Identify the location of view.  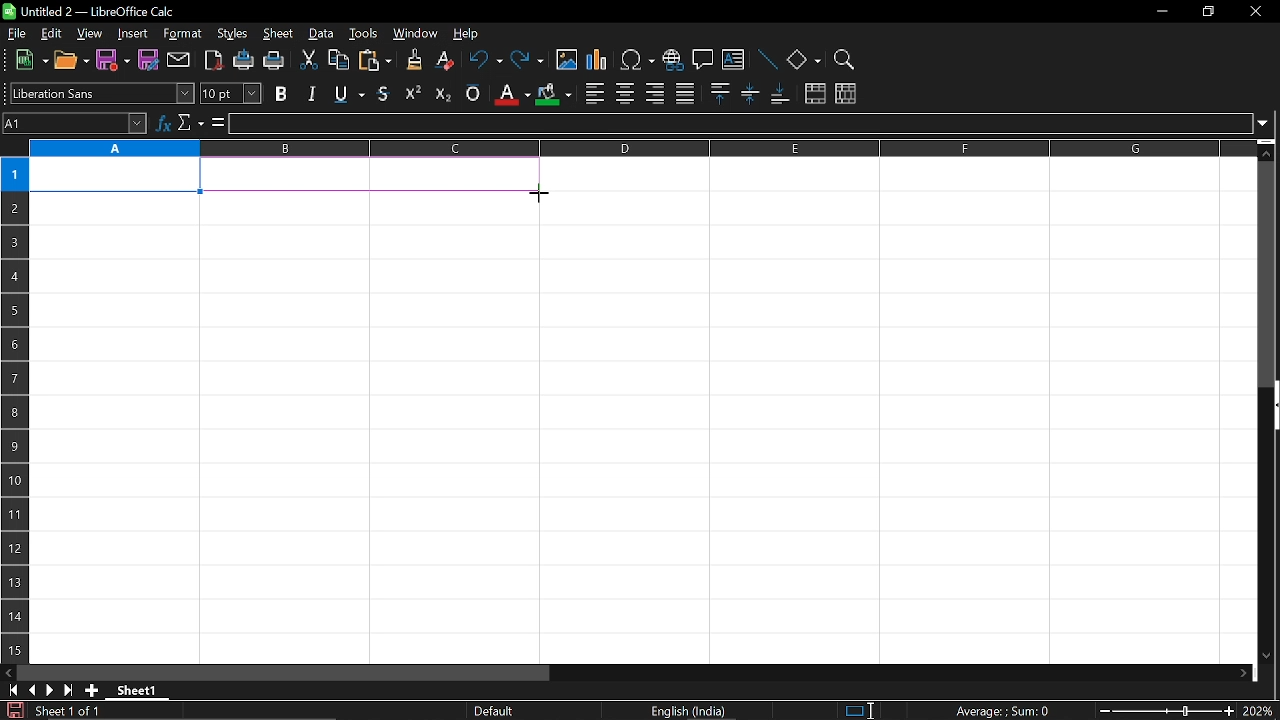
(88, 34).